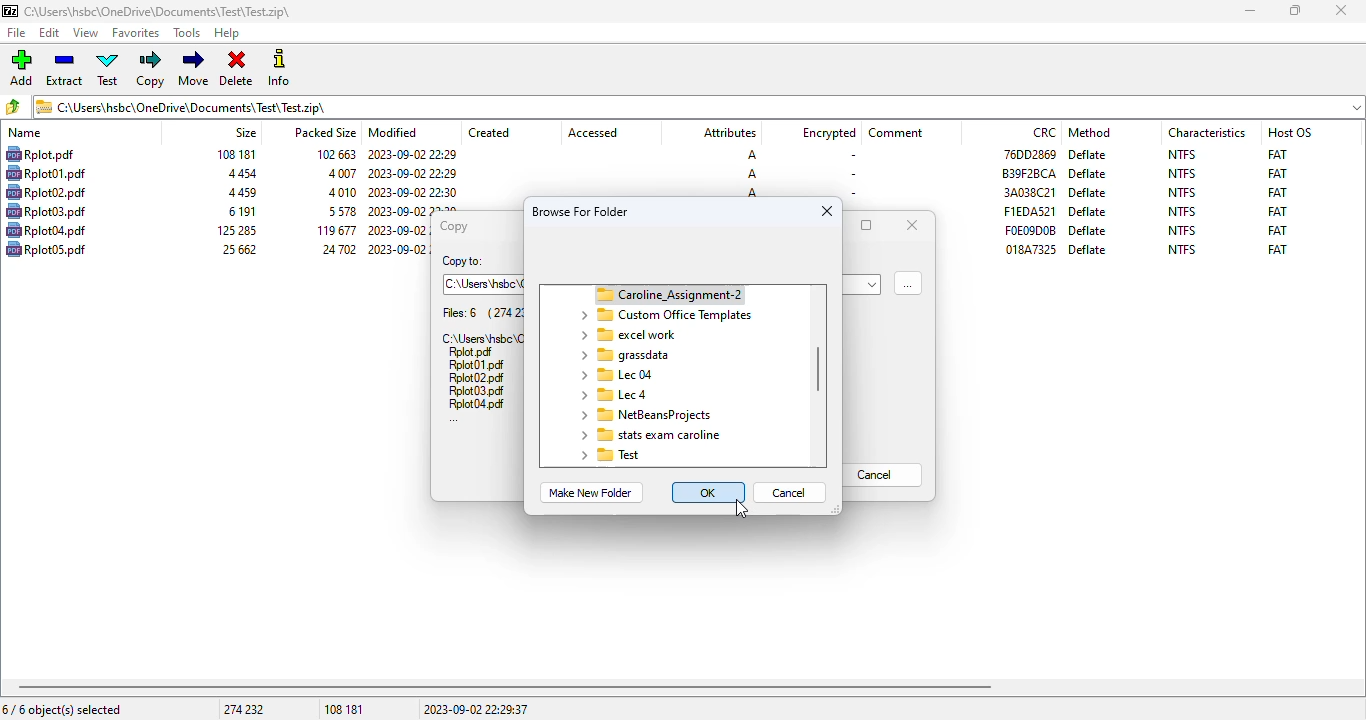 Image resolution: width=1366 pixels, height=720 pixels. What do you see at coordinates (136, 33) in the screenshot?
I see `favorites` at bounding box center [136, 33].